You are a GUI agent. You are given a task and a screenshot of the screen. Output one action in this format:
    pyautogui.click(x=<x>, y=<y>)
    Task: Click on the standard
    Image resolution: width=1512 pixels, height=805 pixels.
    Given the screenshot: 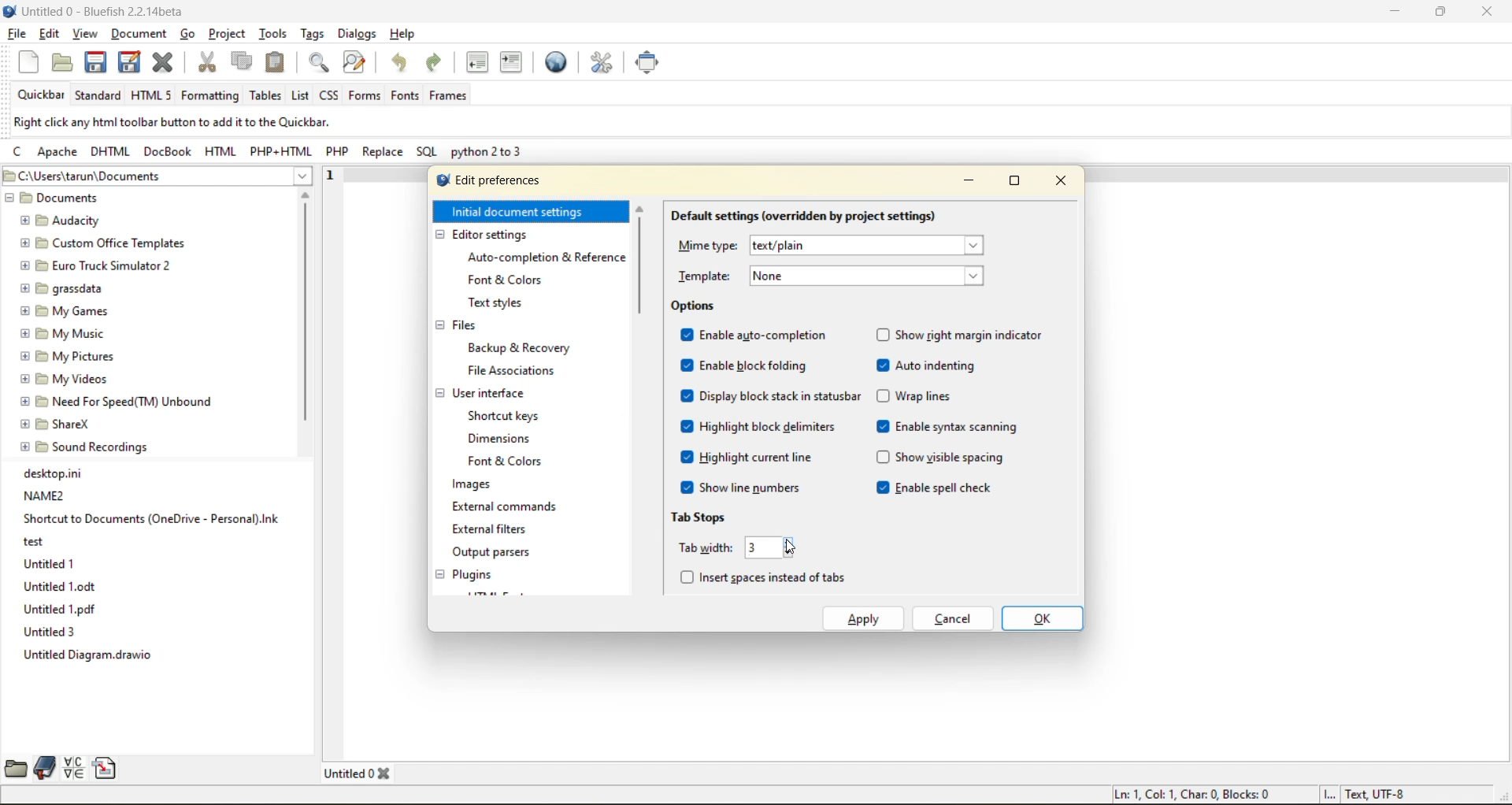 What is the action you would take?
    pyautogui.click(x=98, y=98)
    